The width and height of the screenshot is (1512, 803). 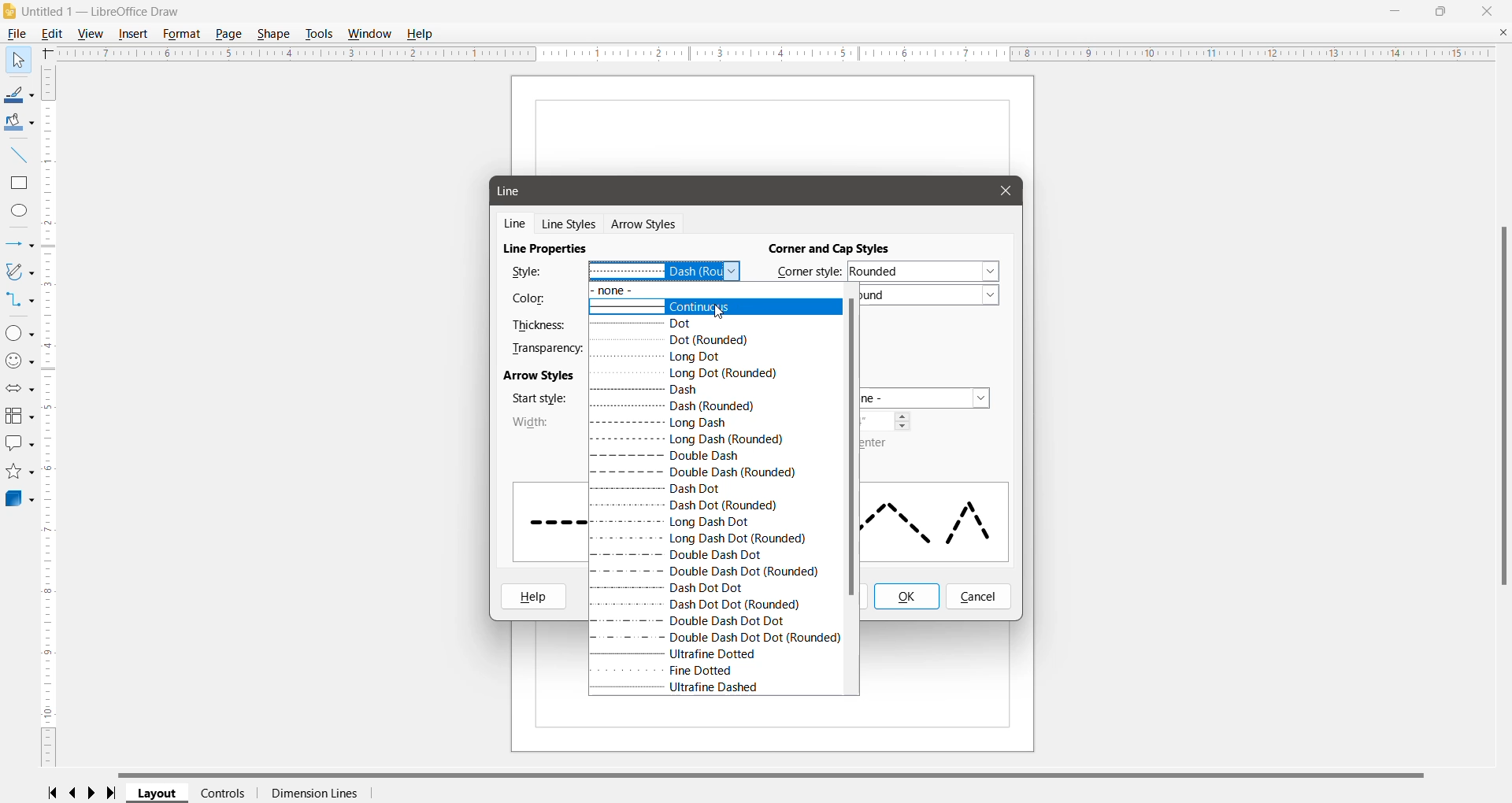 I want to click on Set the required corner style, so click(x=923, y=272).